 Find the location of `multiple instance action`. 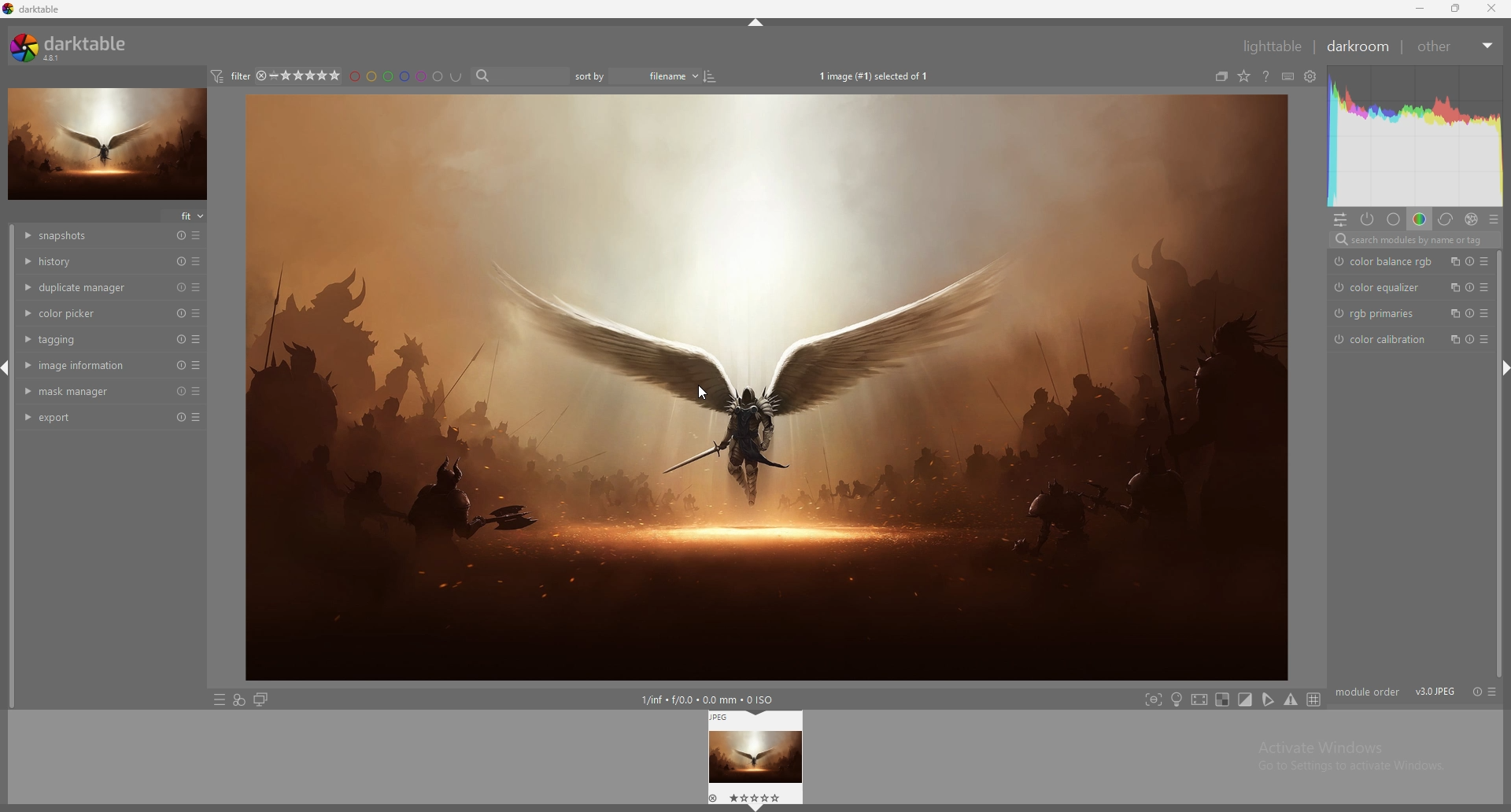

multiple instance action is located at coordinates (1455, 261).